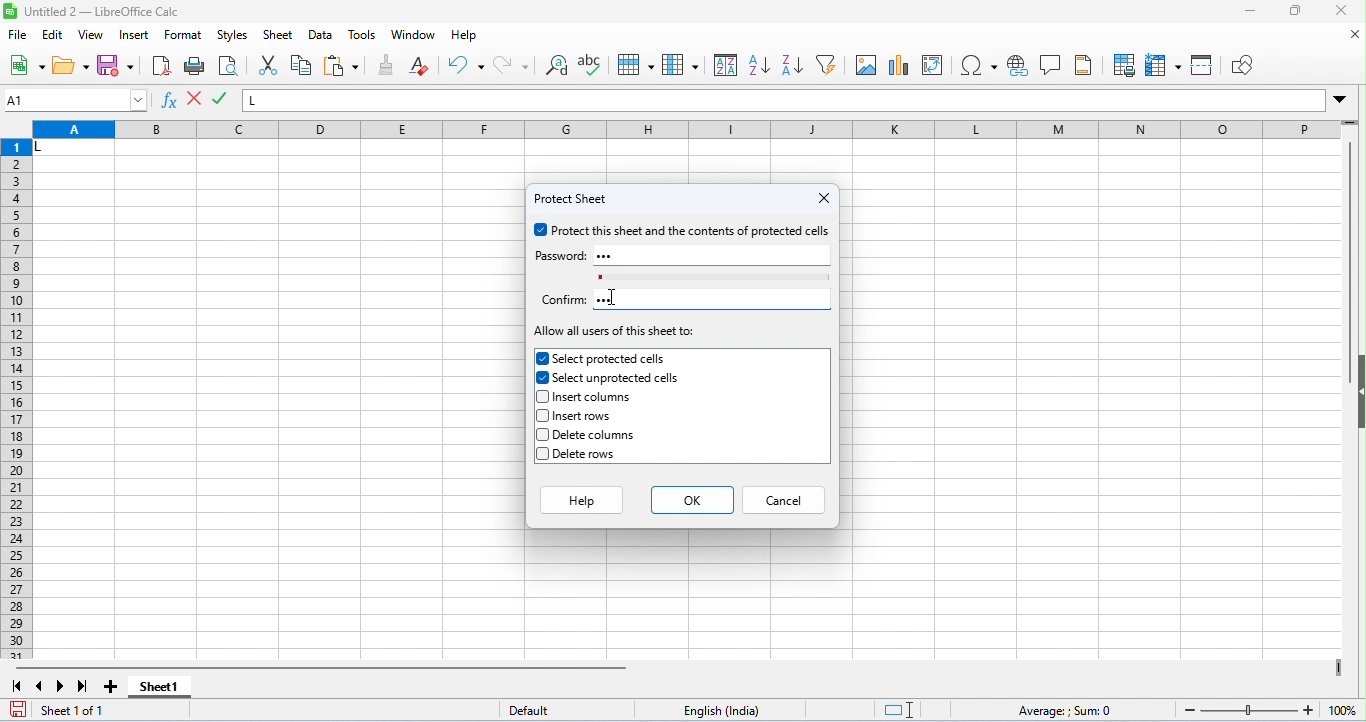 Image resolution: width=1366 pixels, height=722 pixels. I want to click on file, so click(19, 36).